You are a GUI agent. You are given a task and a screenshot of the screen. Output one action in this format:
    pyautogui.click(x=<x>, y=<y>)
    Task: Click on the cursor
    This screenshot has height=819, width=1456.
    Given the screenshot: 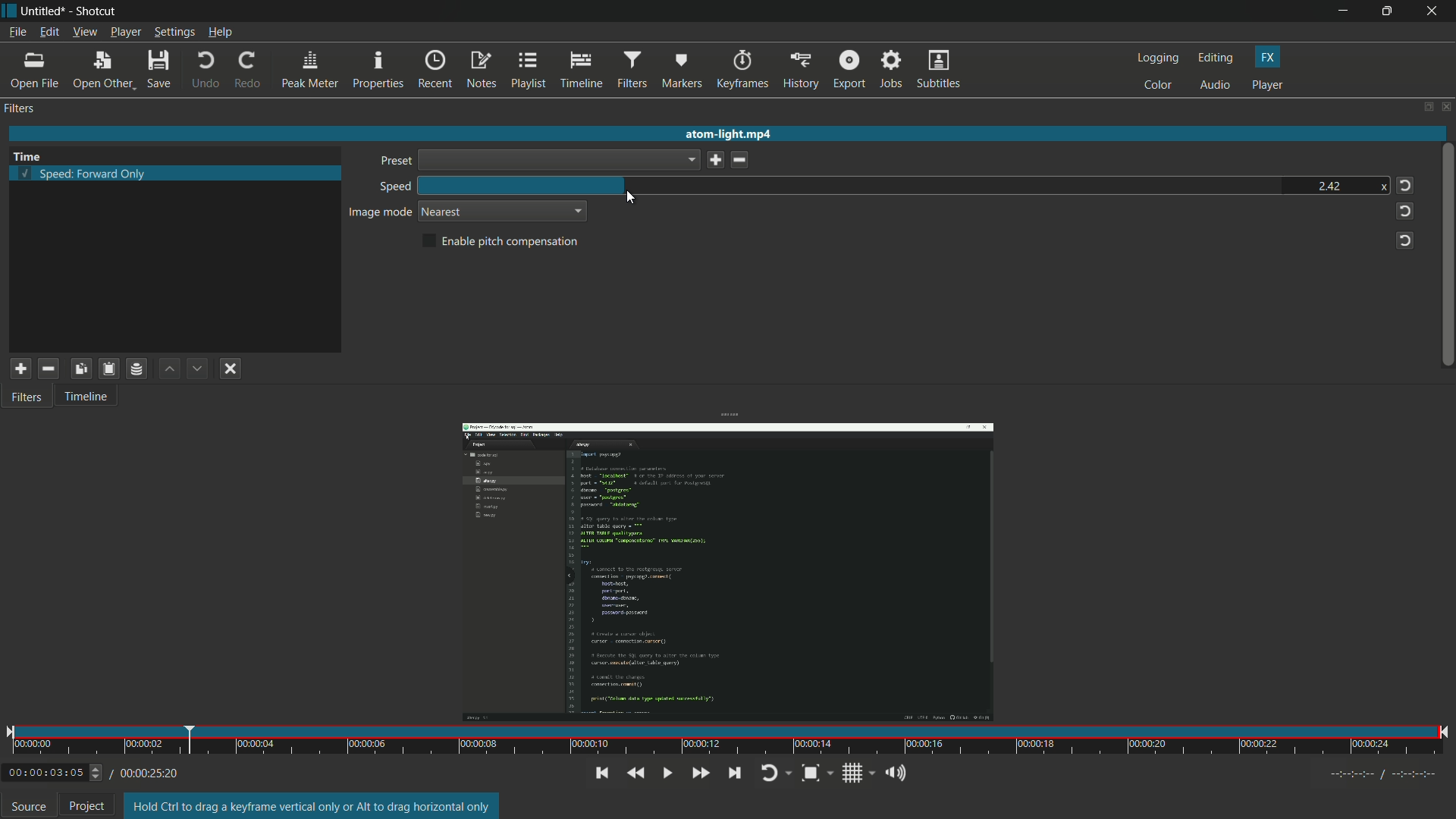 What is the action you would take?
    pyautogui.click(x=630, y=199)
    